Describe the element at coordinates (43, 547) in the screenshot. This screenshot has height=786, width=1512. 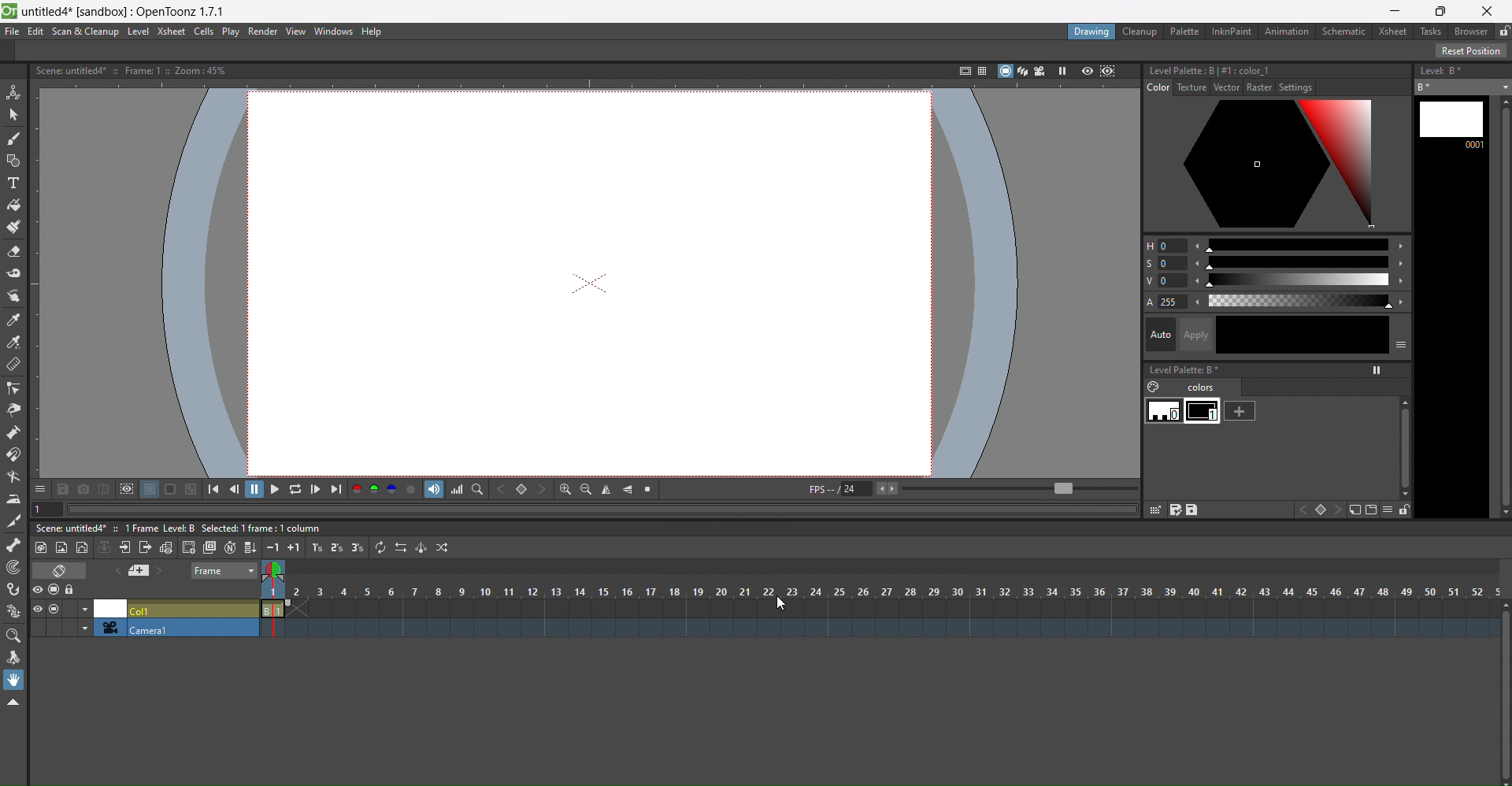
I see `new toonz raster level` at that location.